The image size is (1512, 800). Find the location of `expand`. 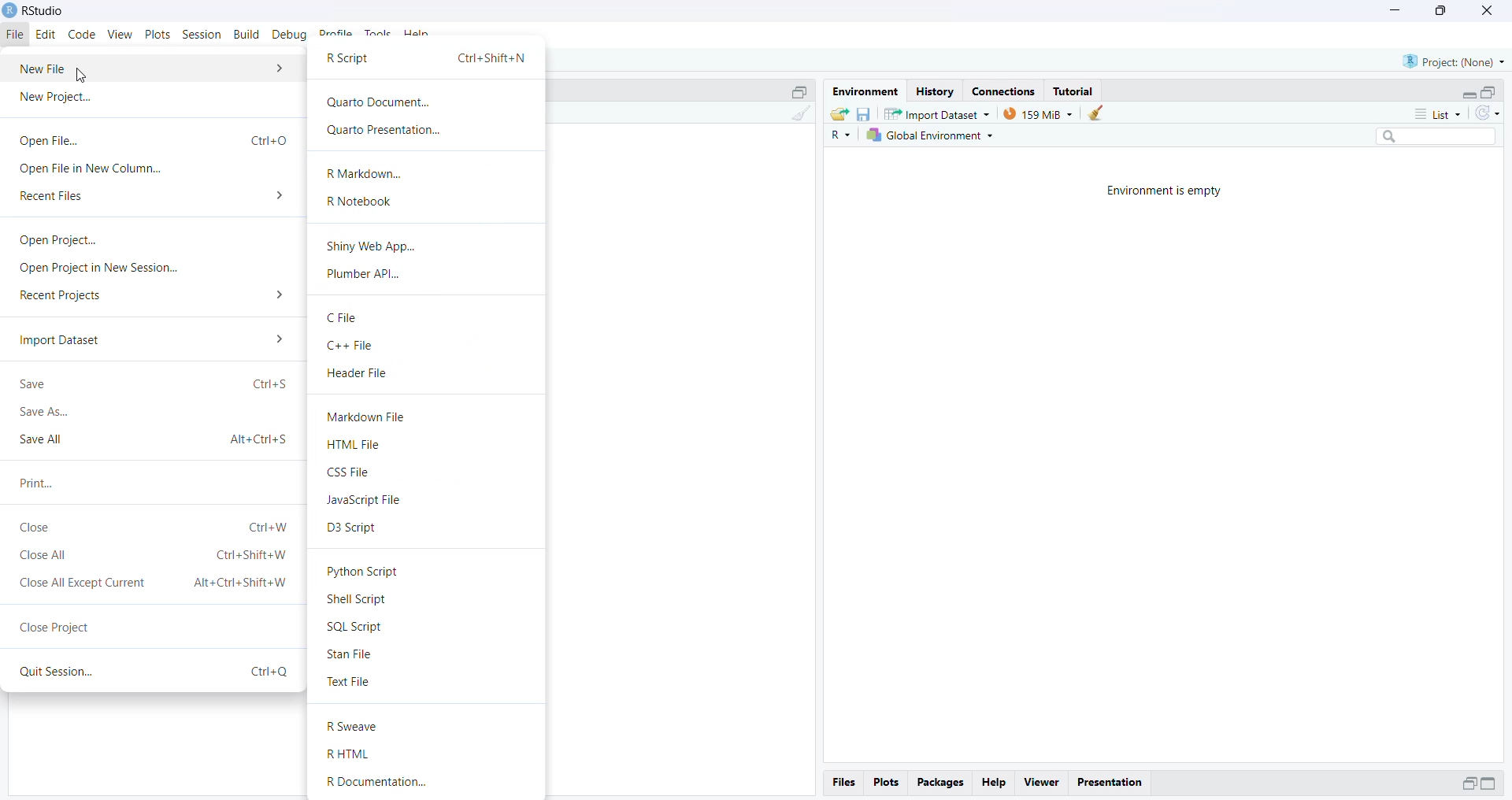

expand is located at coordinates (1469, 783).